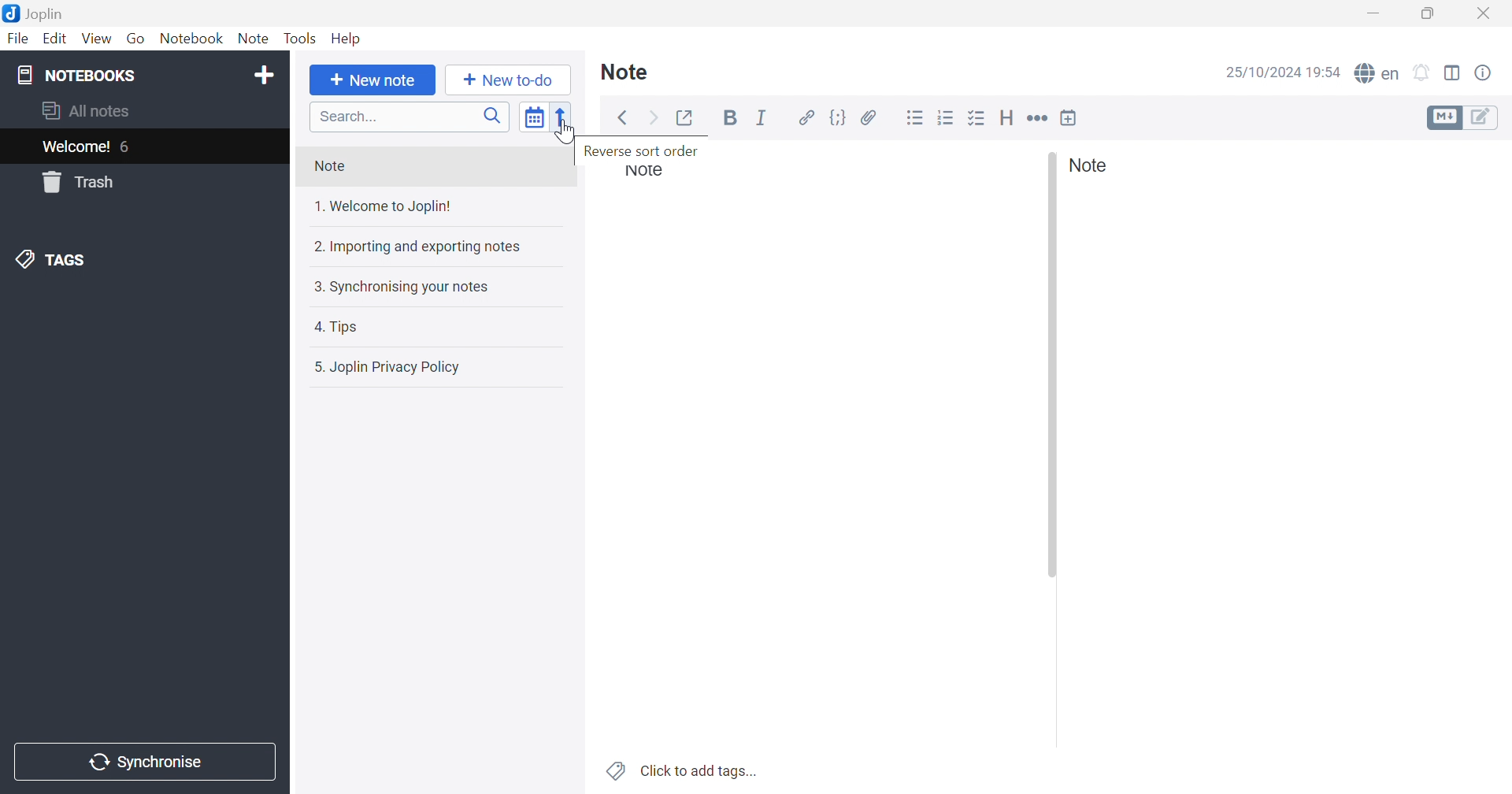  What do you see at coordinates (1374, 13) in the screenshot?
I see `Minimize` at bounding box center [1374, 13].